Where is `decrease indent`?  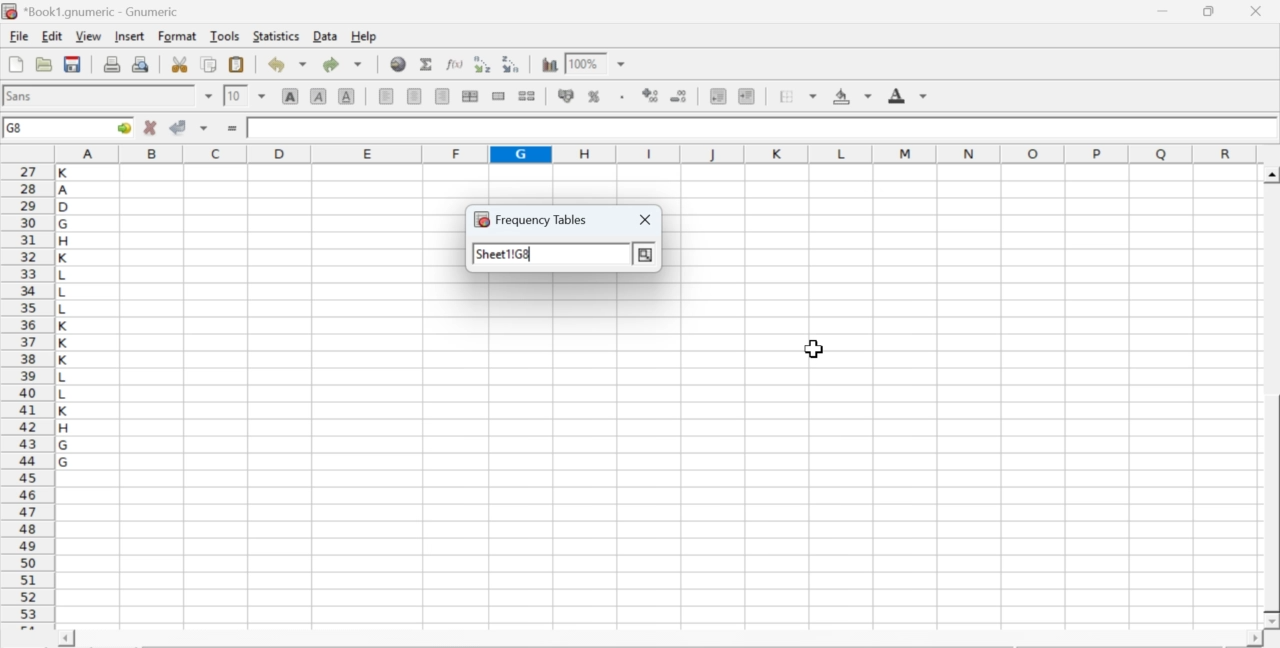
decrease indent is located at coordinates (718, 95).